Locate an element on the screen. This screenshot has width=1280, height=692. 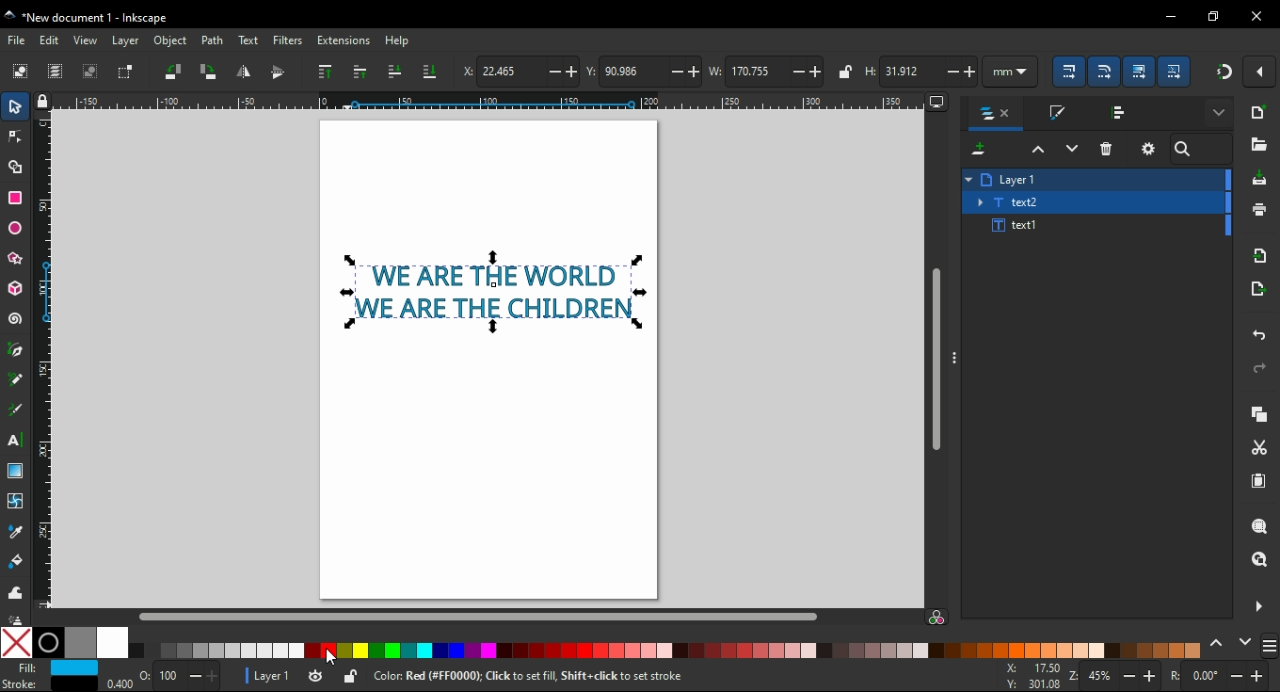
3D block tool is located at coordinates (14, 287).